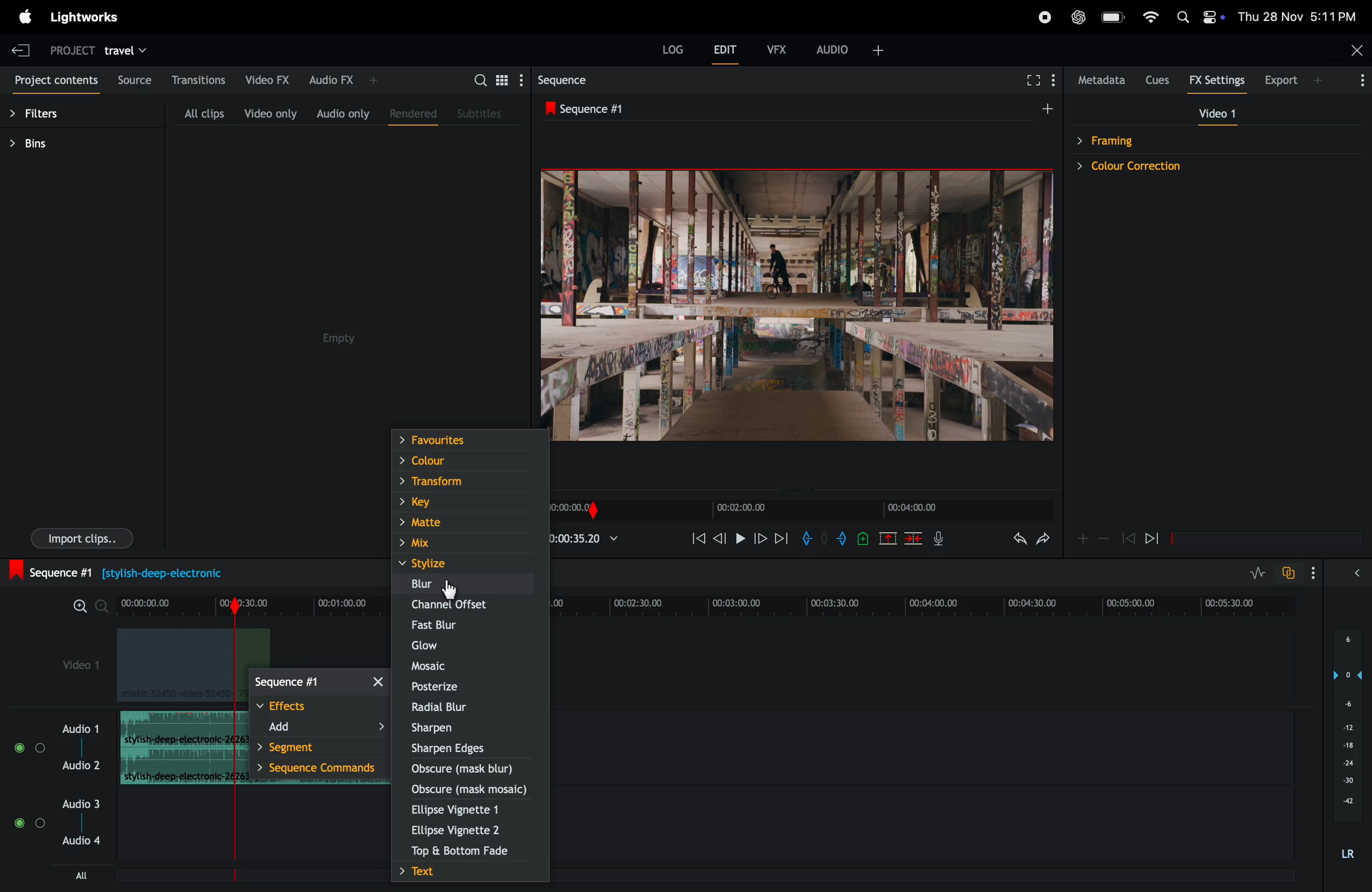  I want to click on rendered, so click(410, 114).